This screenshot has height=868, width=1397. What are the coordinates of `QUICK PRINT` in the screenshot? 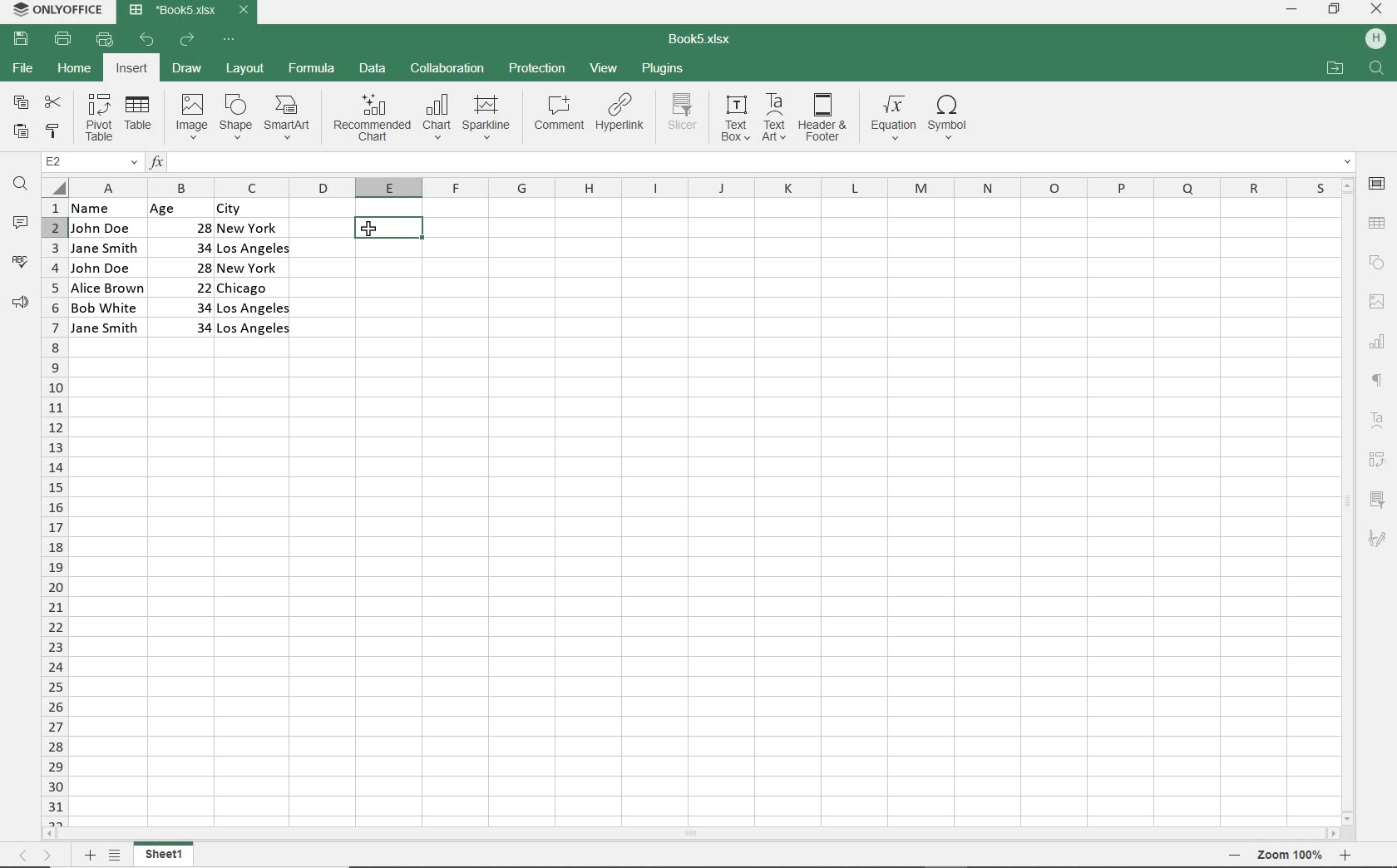 It's located at (103, 39).